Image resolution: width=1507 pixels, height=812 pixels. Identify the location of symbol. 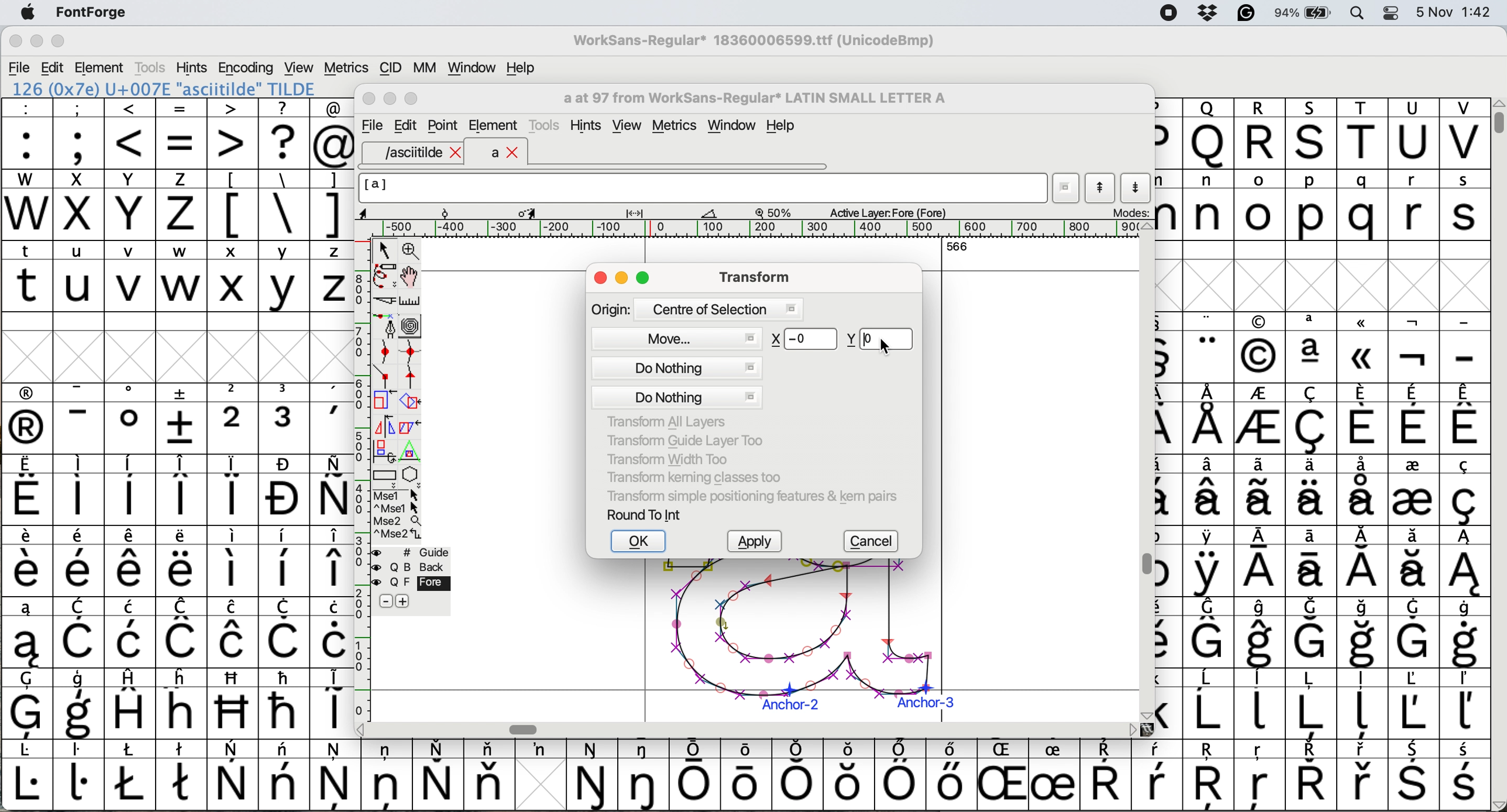
(1262, 633).